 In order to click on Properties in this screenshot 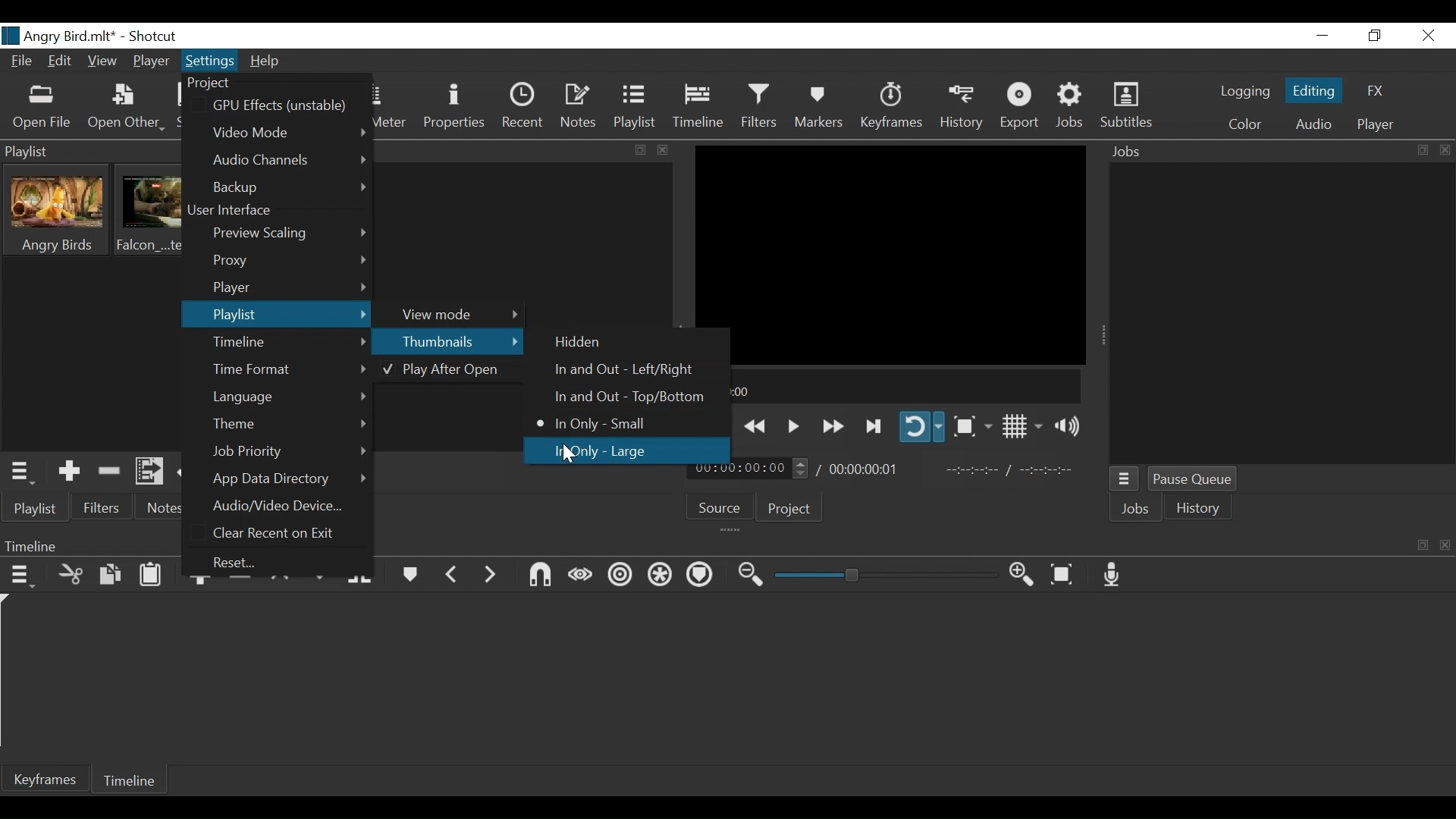, I will do `click(454, 109)`.